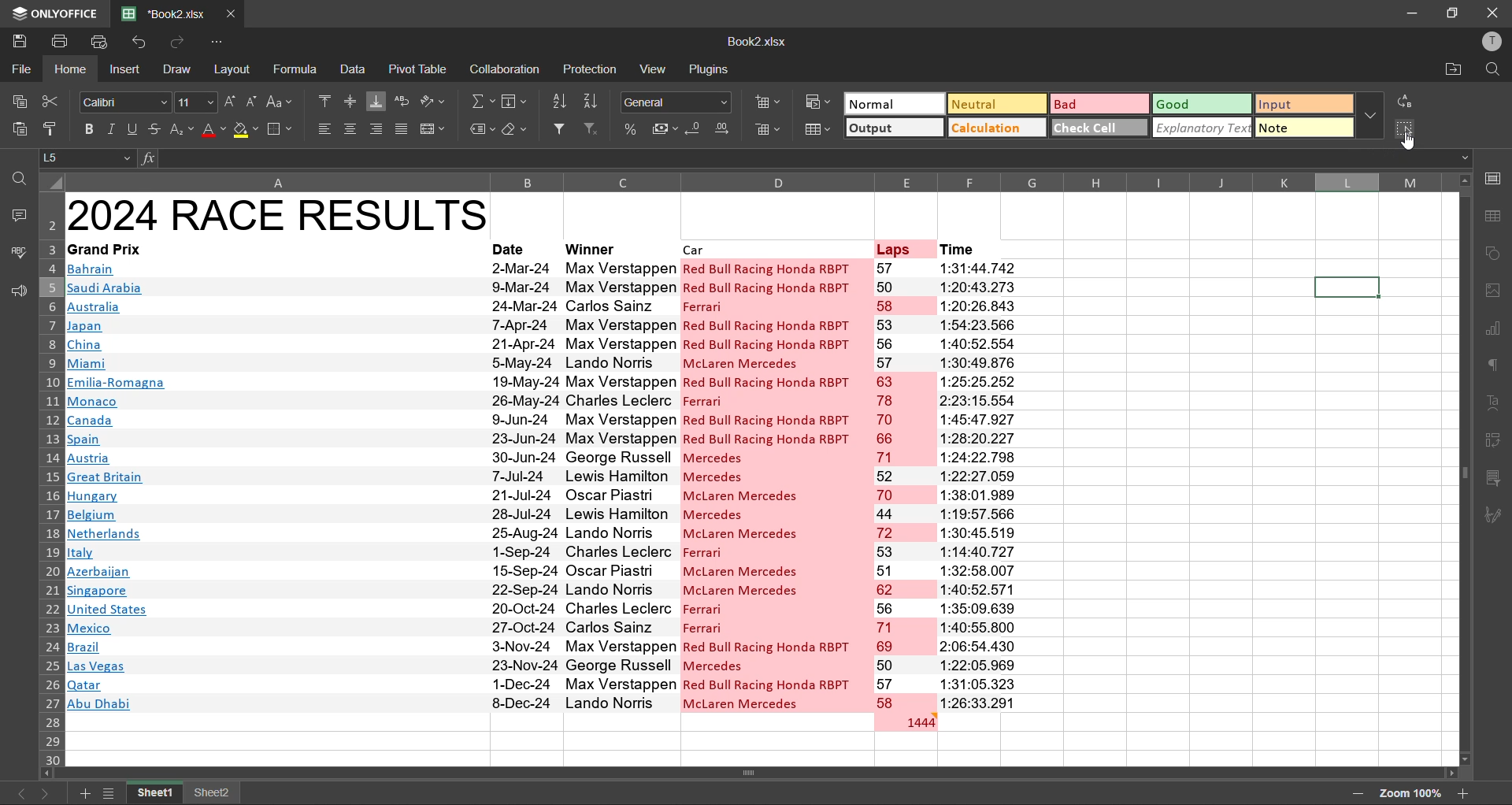 This screenshot has width=1512, height=805. Describe the element at coordinates (183, 129) in the screenshot. I see `sub/superscript` at that location.